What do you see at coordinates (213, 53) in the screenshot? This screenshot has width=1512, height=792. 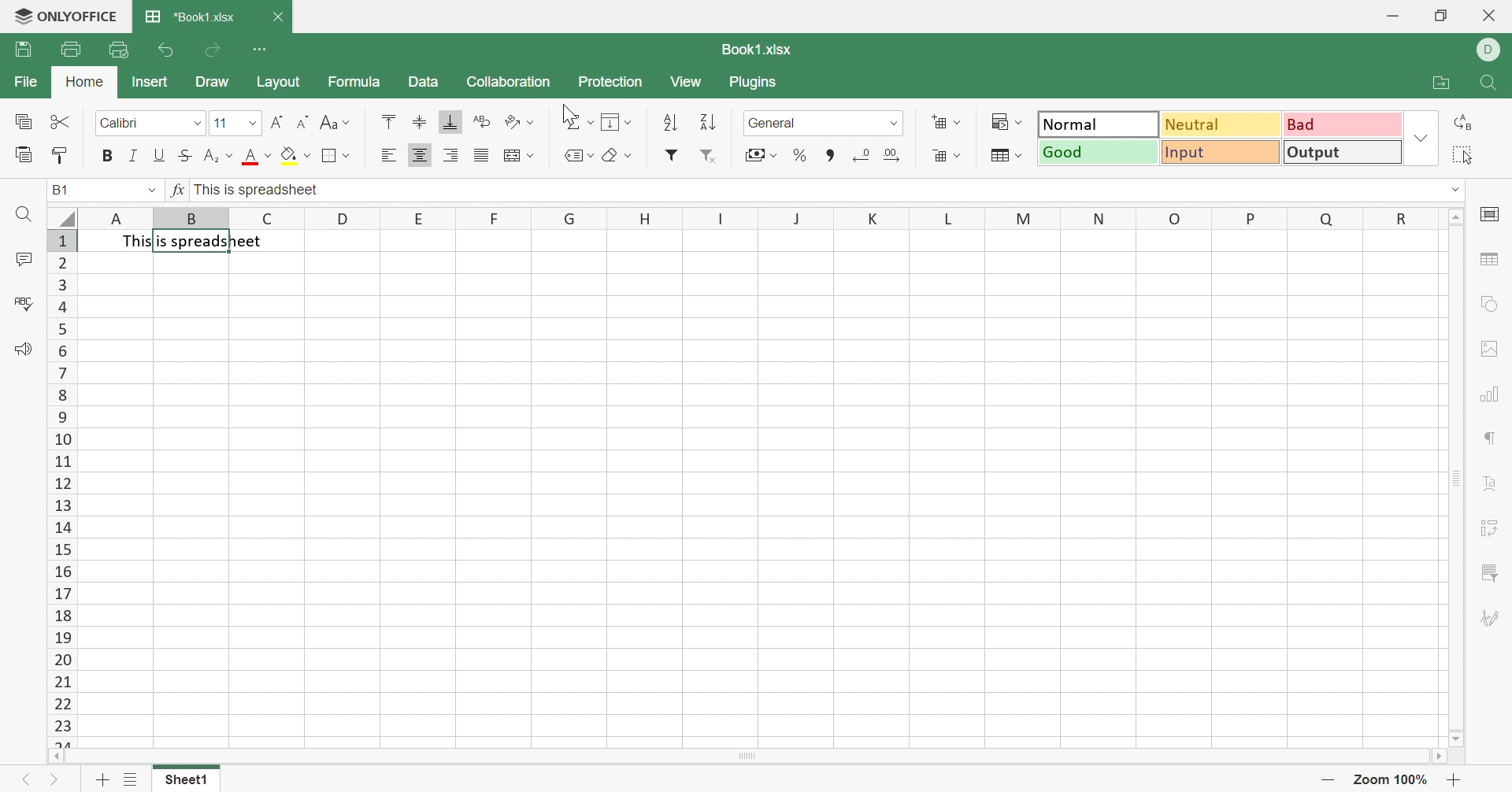 I see `Redo` at bounding box center [213, 53].